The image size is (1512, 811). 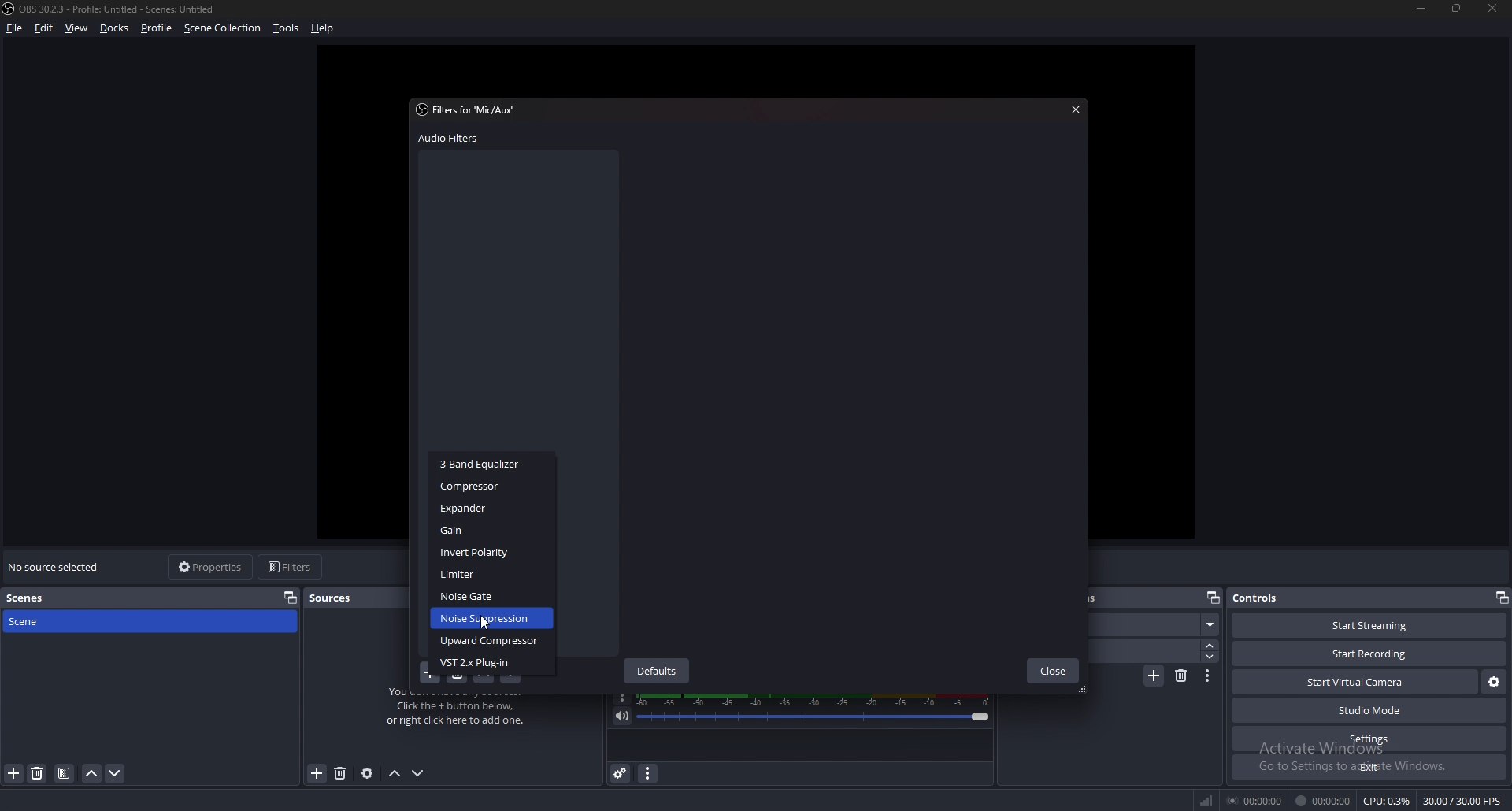 I want to click on scene collection, so click(x=224, y=28).